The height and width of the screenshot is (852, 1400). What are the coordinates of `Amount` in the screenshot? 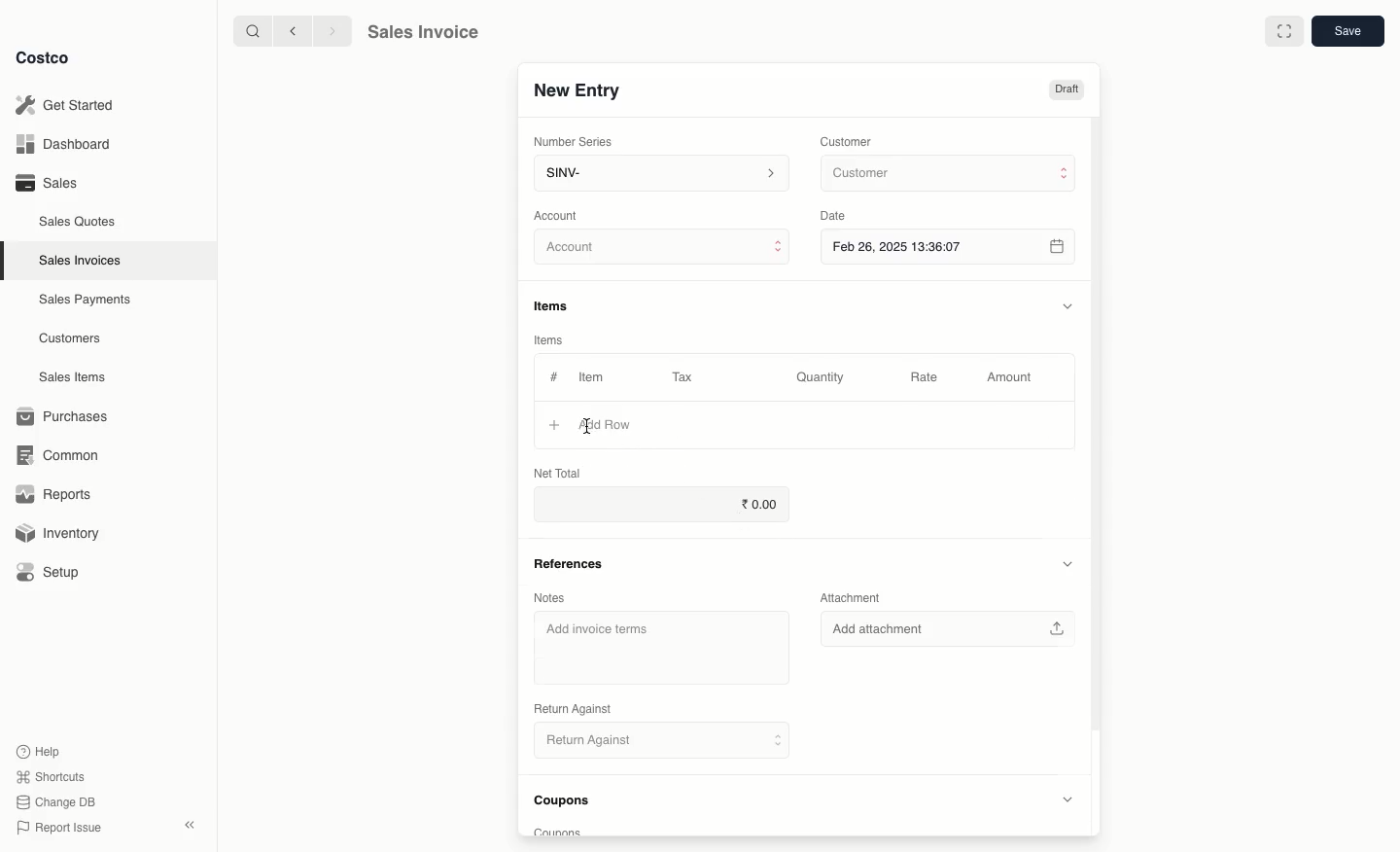 It's located at (1015, 377).